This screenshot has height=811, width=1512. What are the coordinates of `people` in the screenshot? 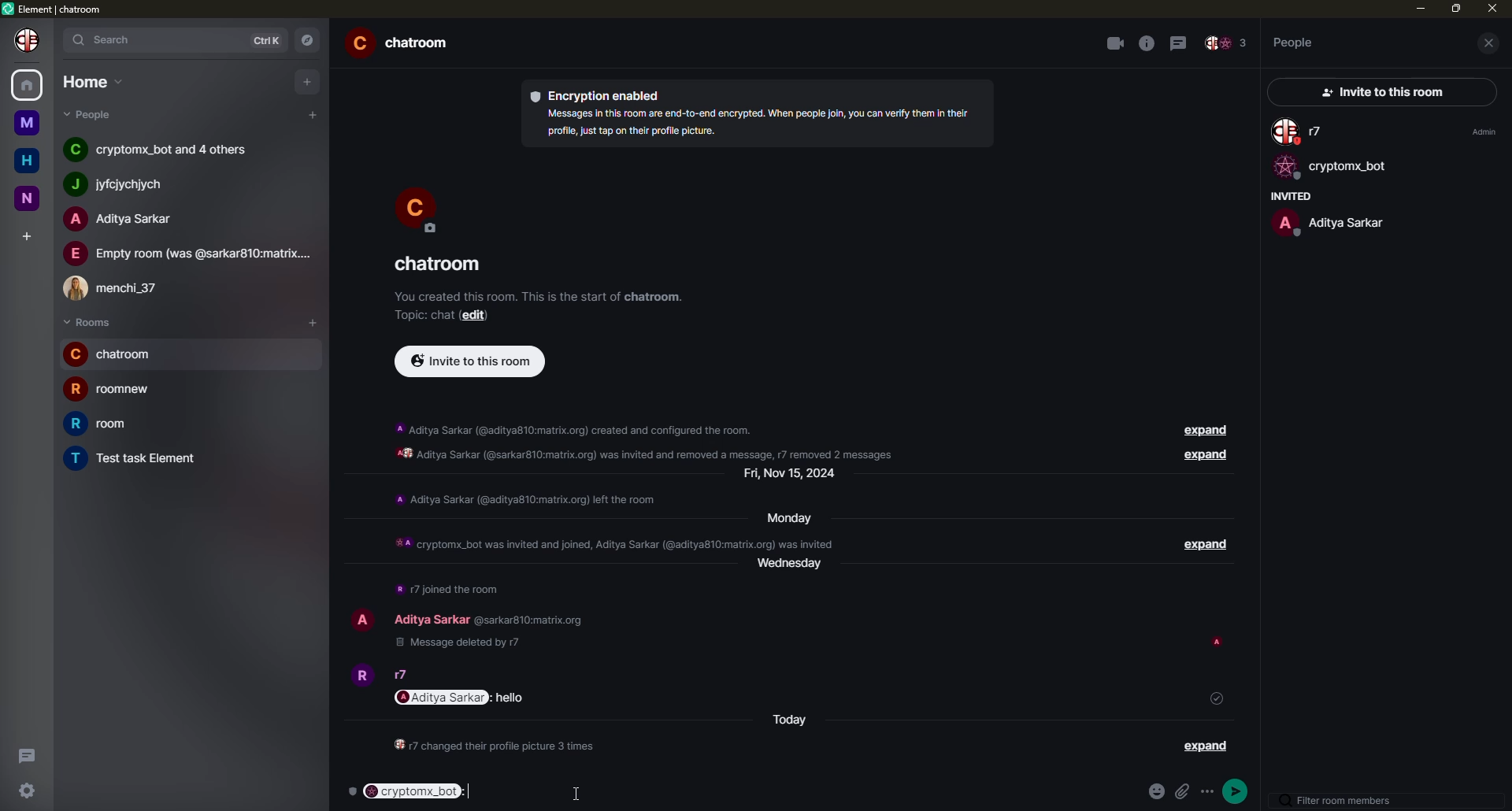 It's located at (1329, 222).